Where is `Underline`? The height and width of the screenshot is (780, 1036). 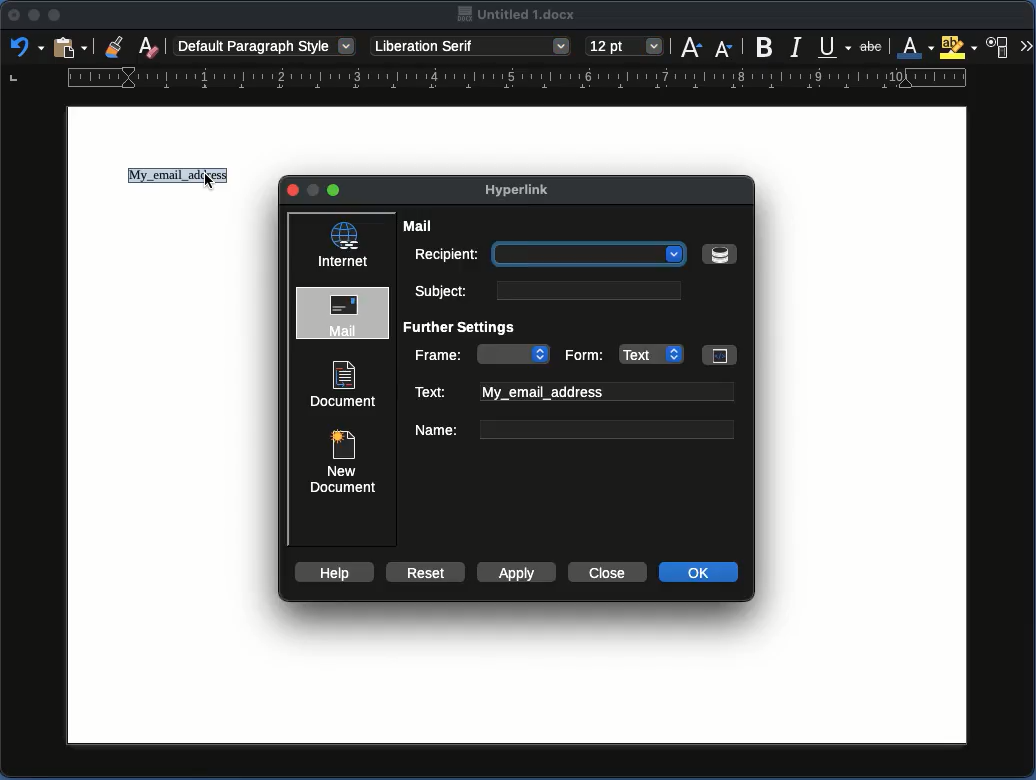
Underline is located at coordinates (833, 45).